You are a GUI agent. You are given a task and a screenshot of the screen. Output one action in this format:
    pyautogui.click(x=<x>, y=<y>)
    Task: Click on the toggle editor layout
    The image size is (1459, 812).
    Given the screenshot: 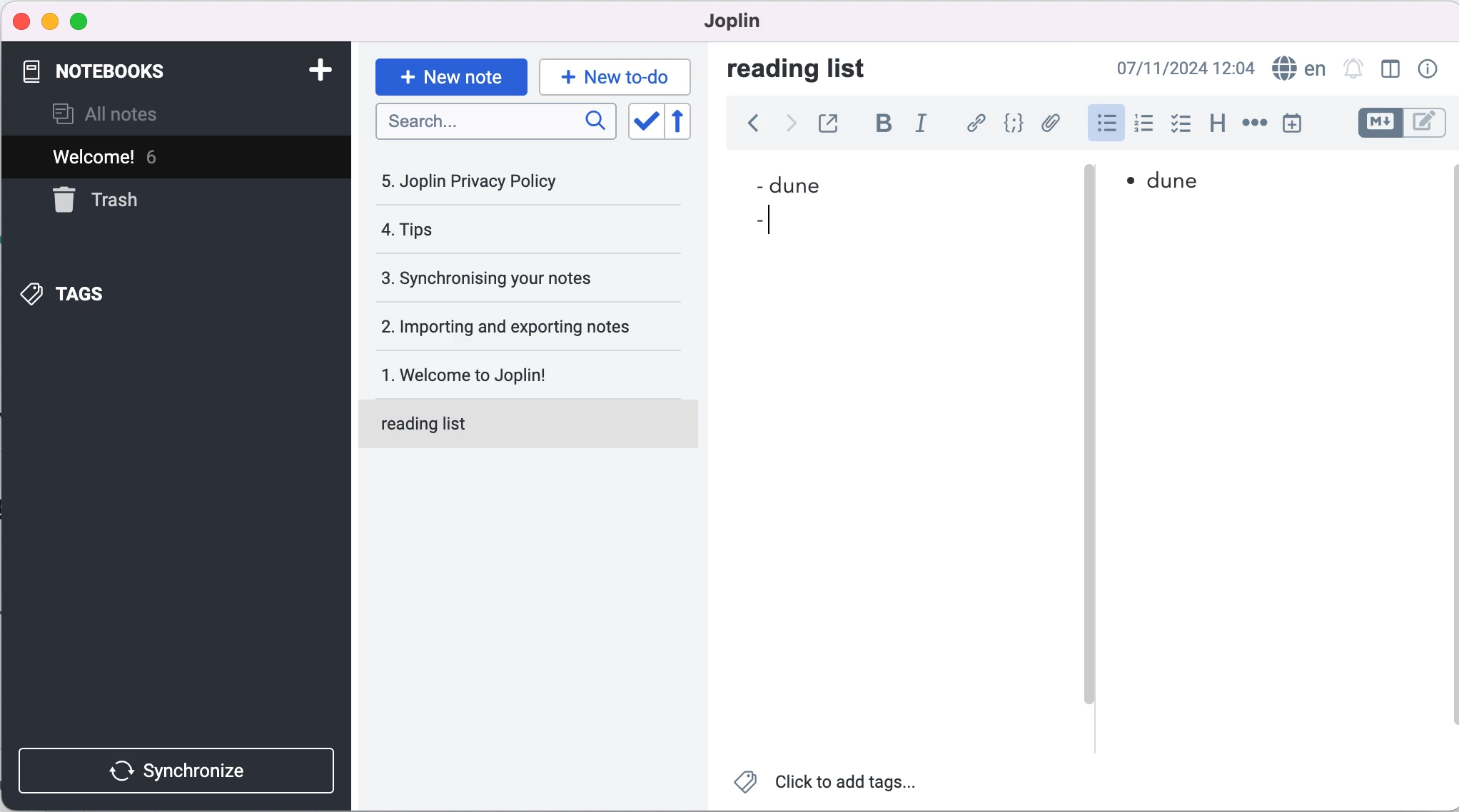 What is the action you would take?
    pyautogui.click(x=1387, y=70)
    